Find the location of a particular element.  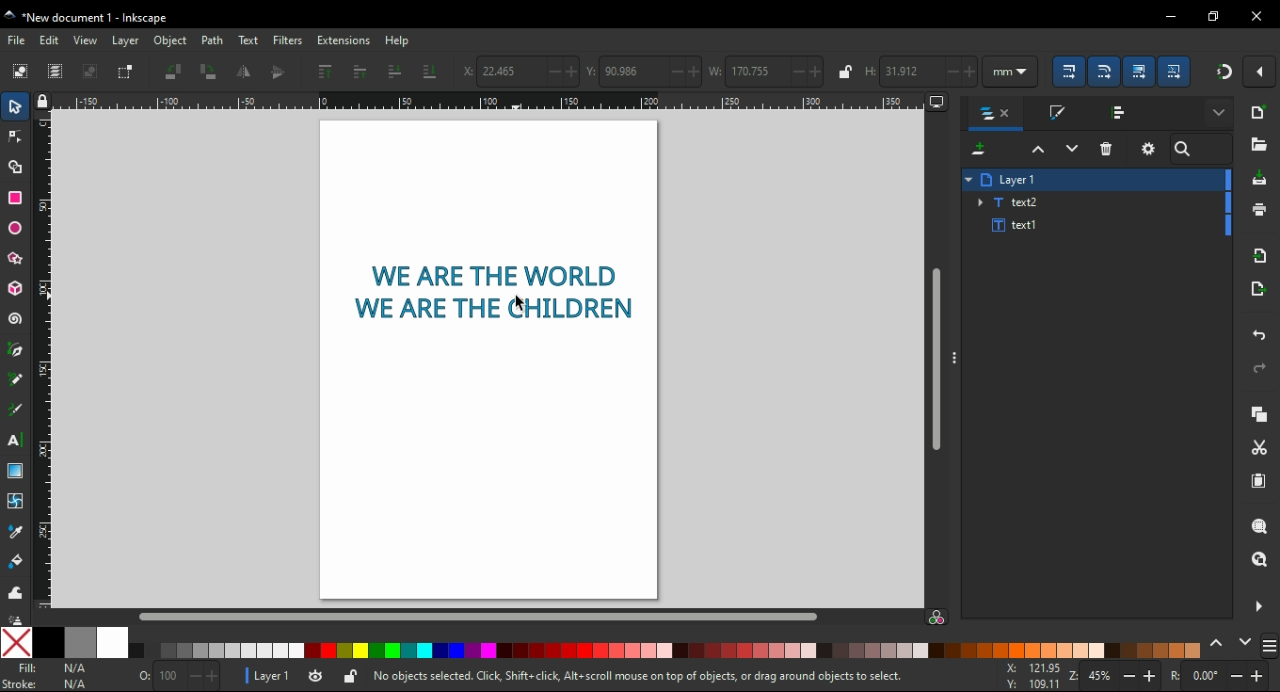

scale stroke with object is located at coordinates (1069, 71).